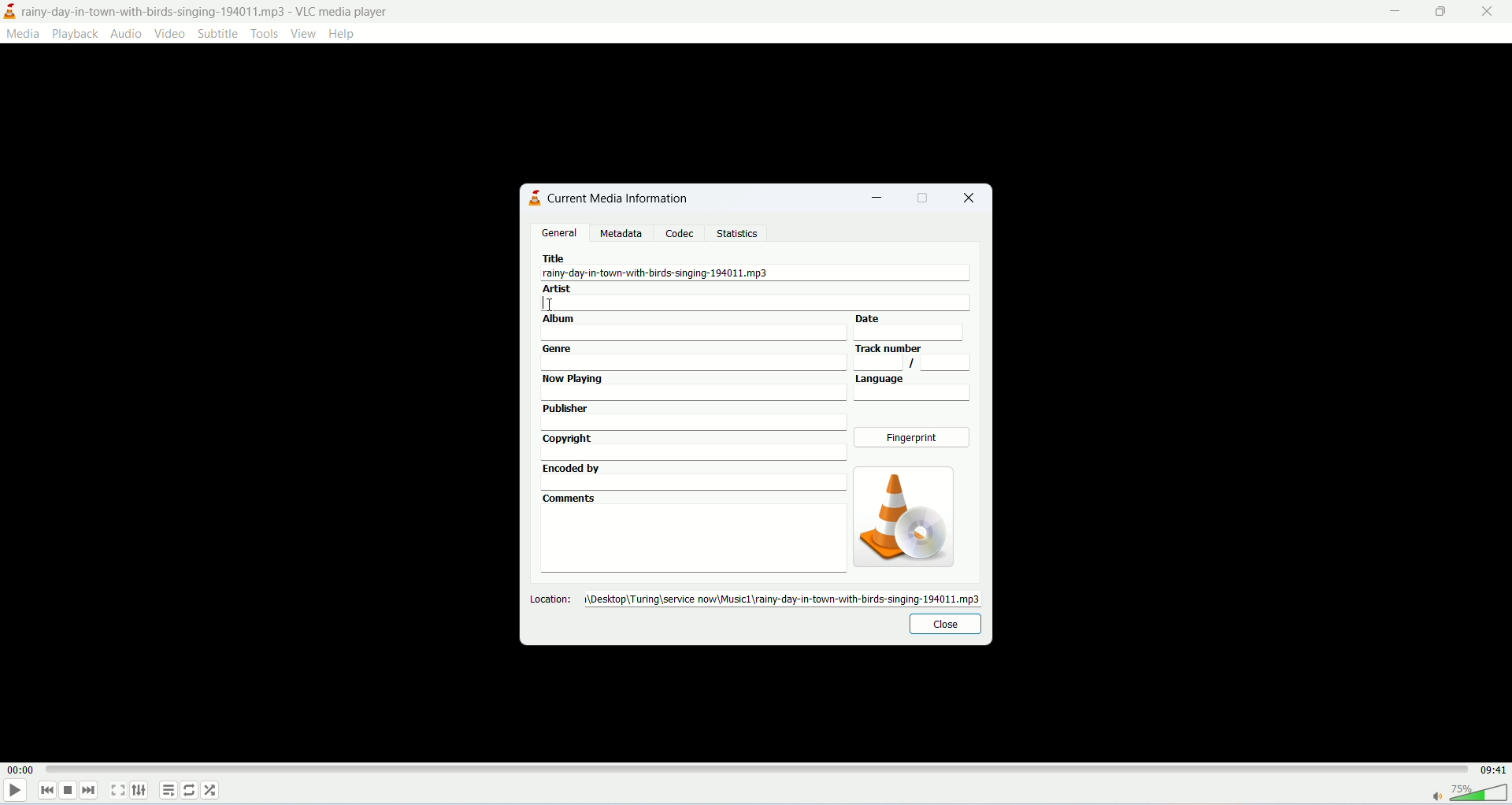 This screenshot has width=1512, height=805. Describe the element at coordinates (694, 388) in the screenshot. I see `now playing` at that location.